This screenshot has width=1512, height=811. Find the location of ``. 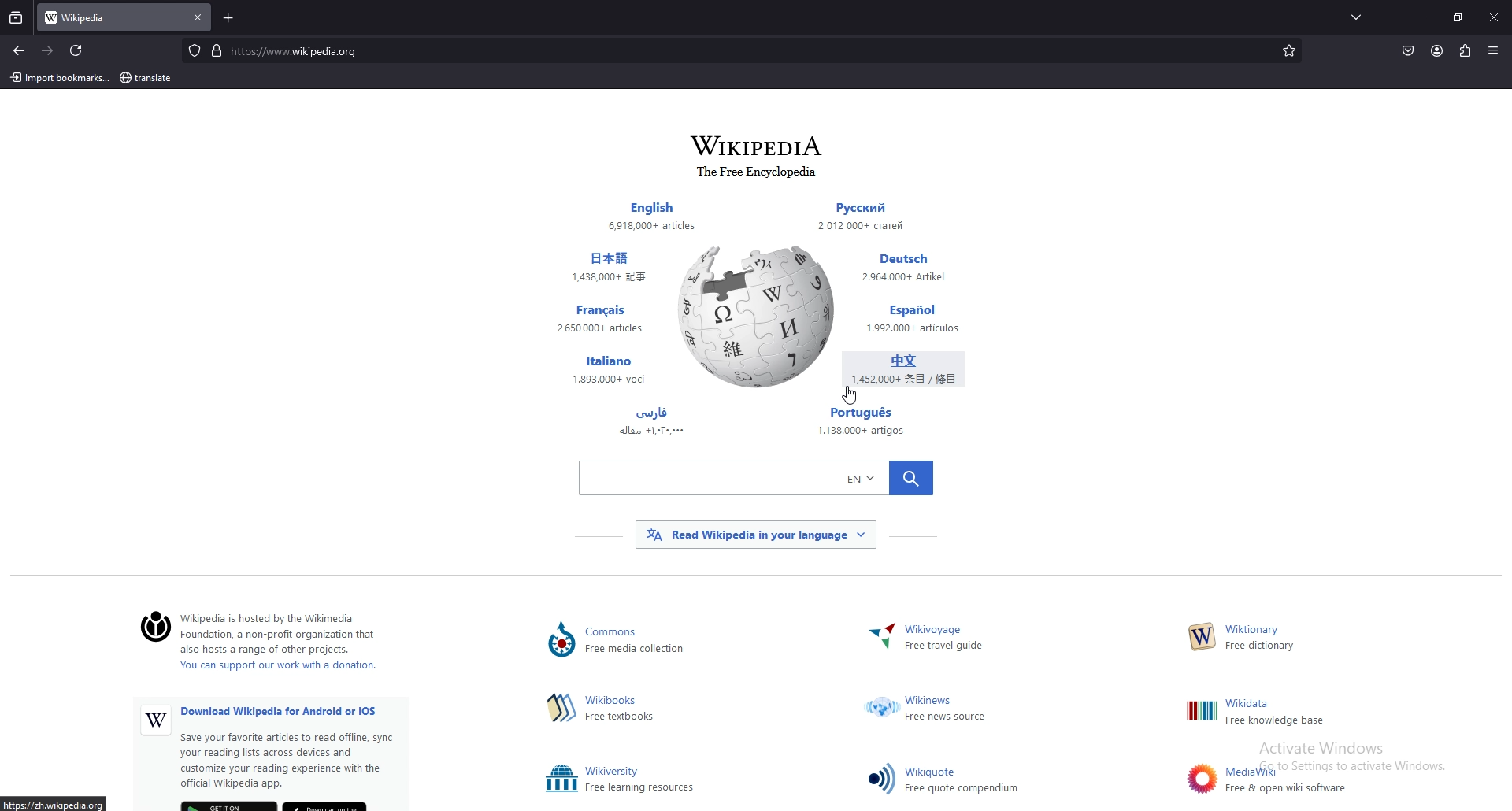

 is located at coordinates (1495, 51).